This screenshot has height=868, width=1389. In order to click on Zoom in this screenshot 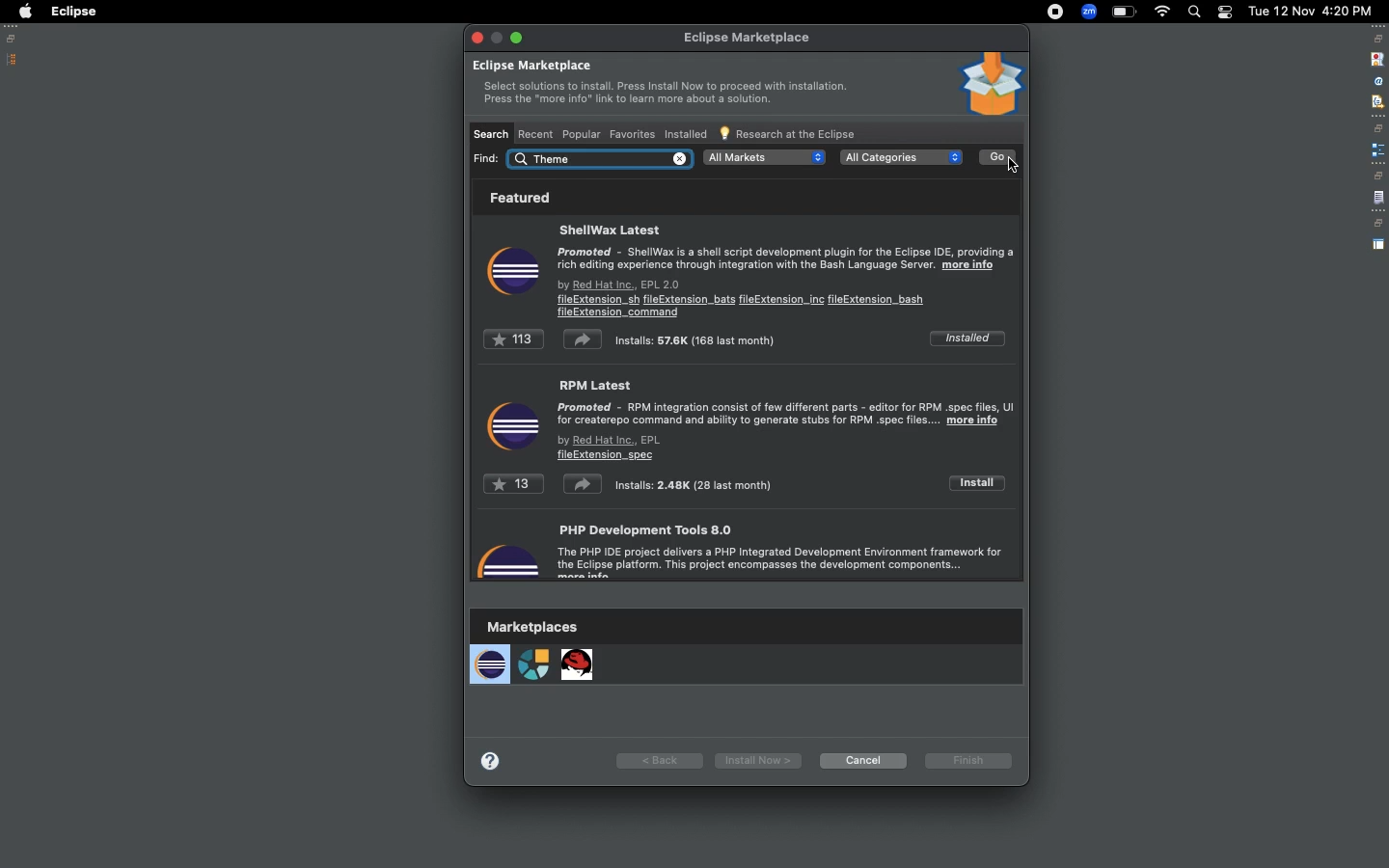, I will do `click(1088, 12)`.